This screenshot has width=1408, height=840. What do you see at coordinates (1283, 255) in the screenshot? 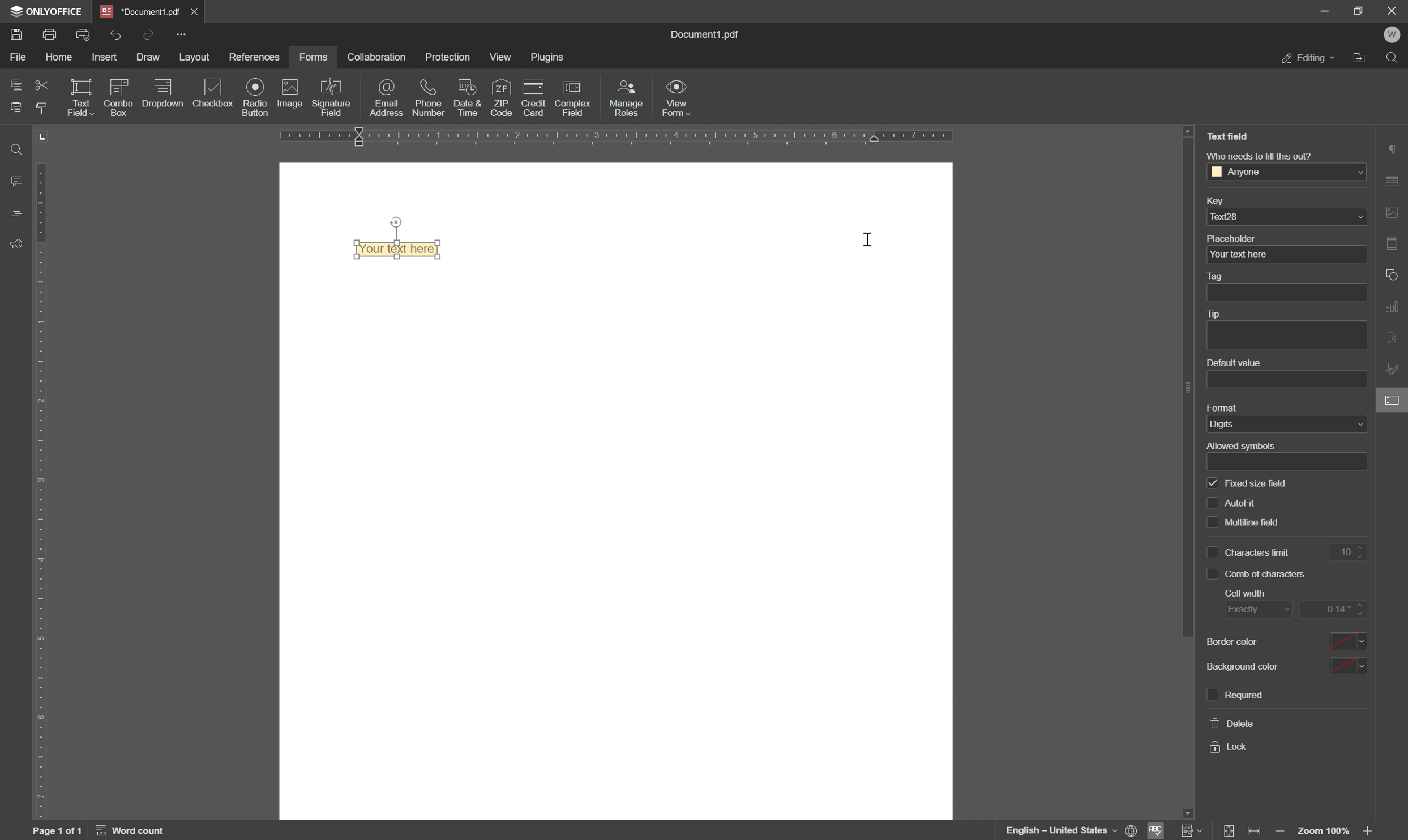
I see `your text here` at bounding box center [1283, 255].